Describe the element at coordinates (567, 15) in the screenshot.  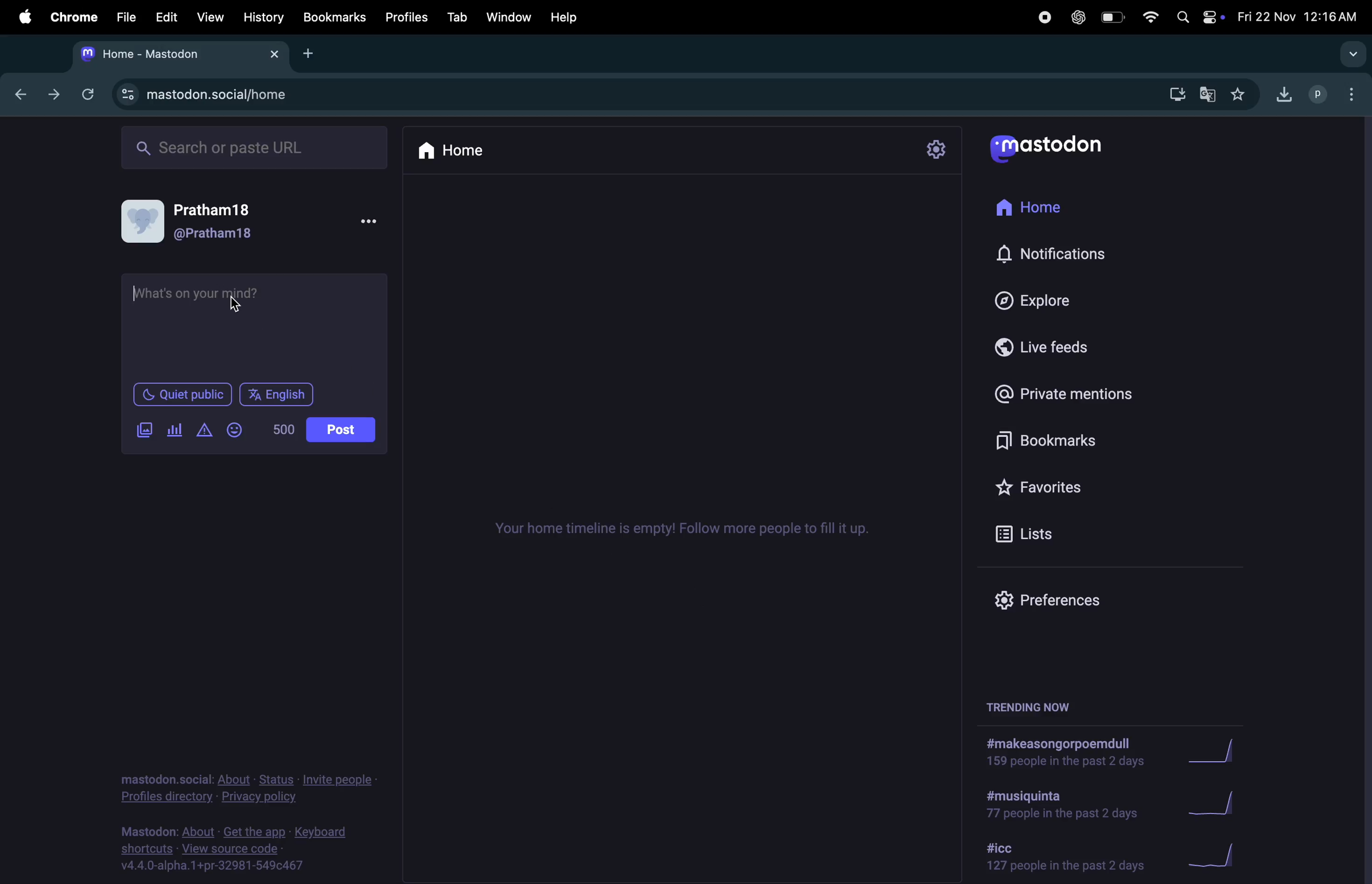
I see `help` at that location.